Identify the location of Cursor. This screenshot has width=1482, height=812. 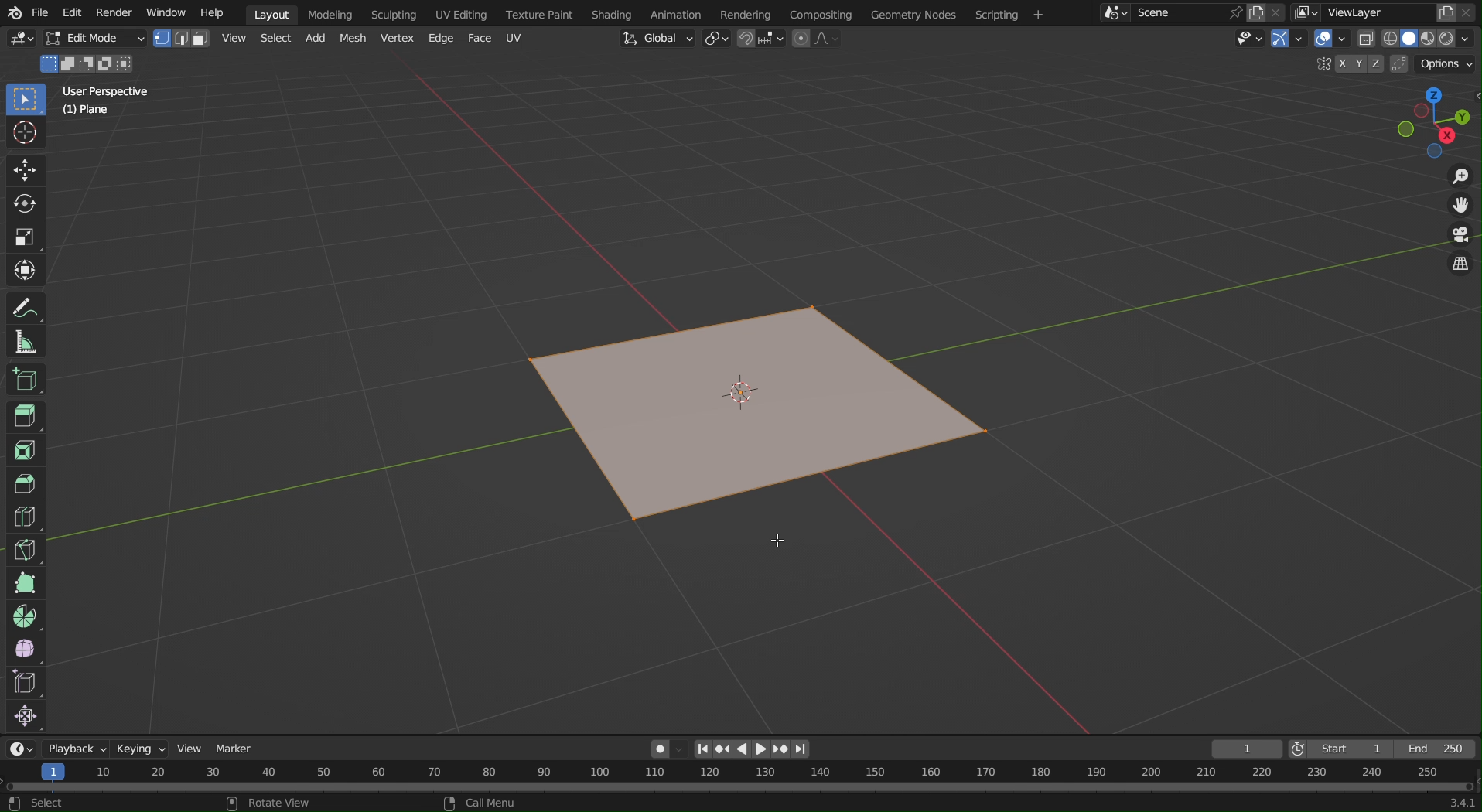
(26, 136).